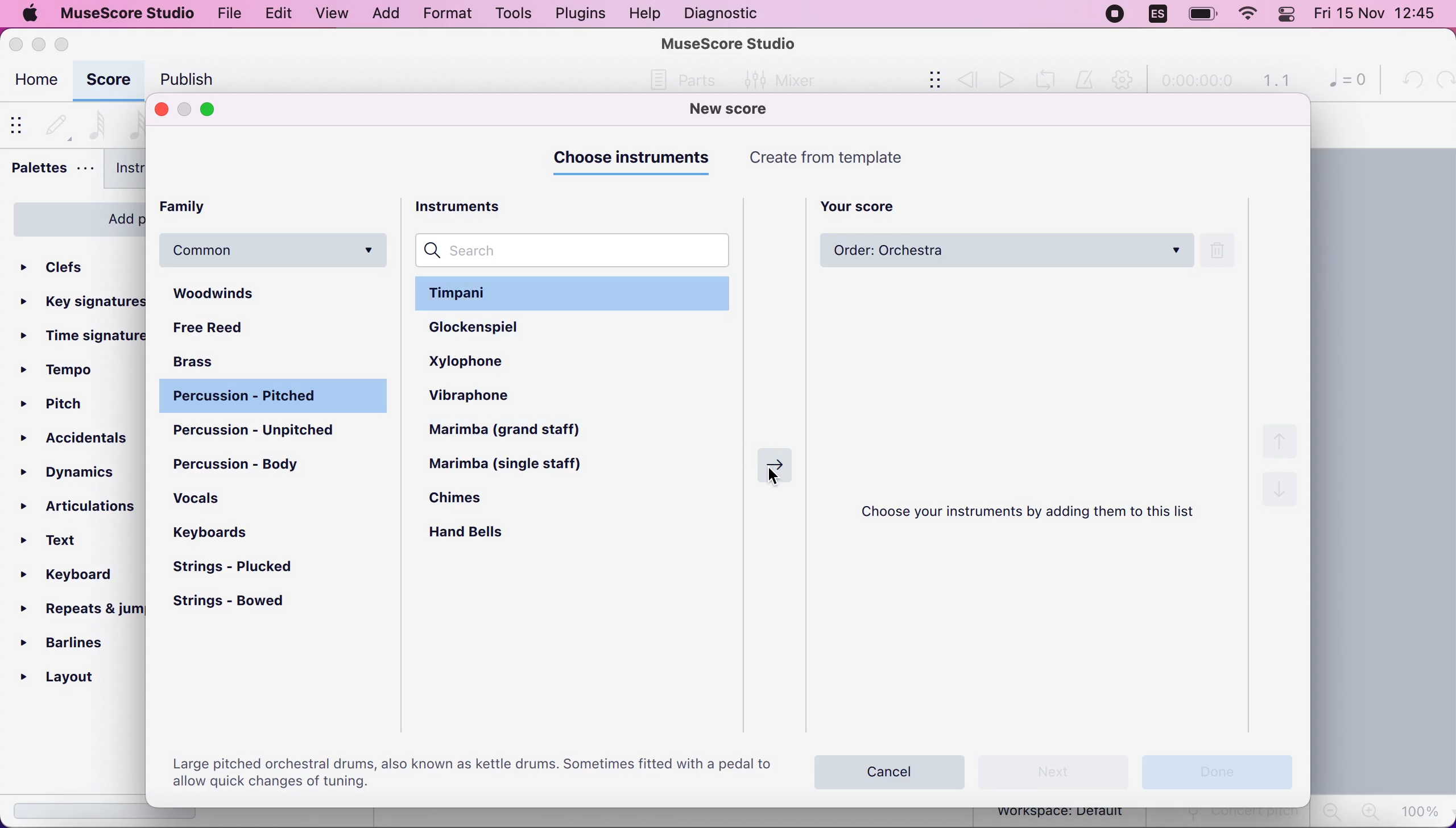 This screenshot has height=828, width=1456. Describe the element at coordinates (1342, 82) in the screenshot. I see `0` at that location.